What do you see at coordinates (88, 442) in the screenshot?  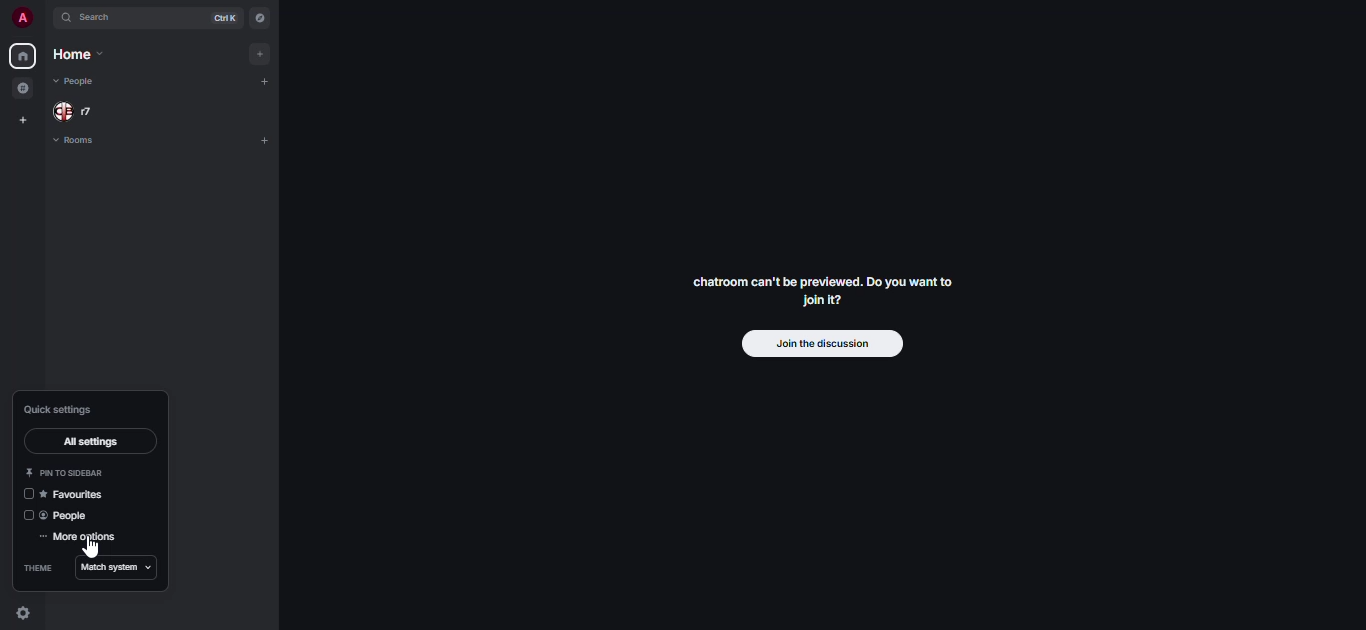 I see `all settings` at bounding box center [88, 442].